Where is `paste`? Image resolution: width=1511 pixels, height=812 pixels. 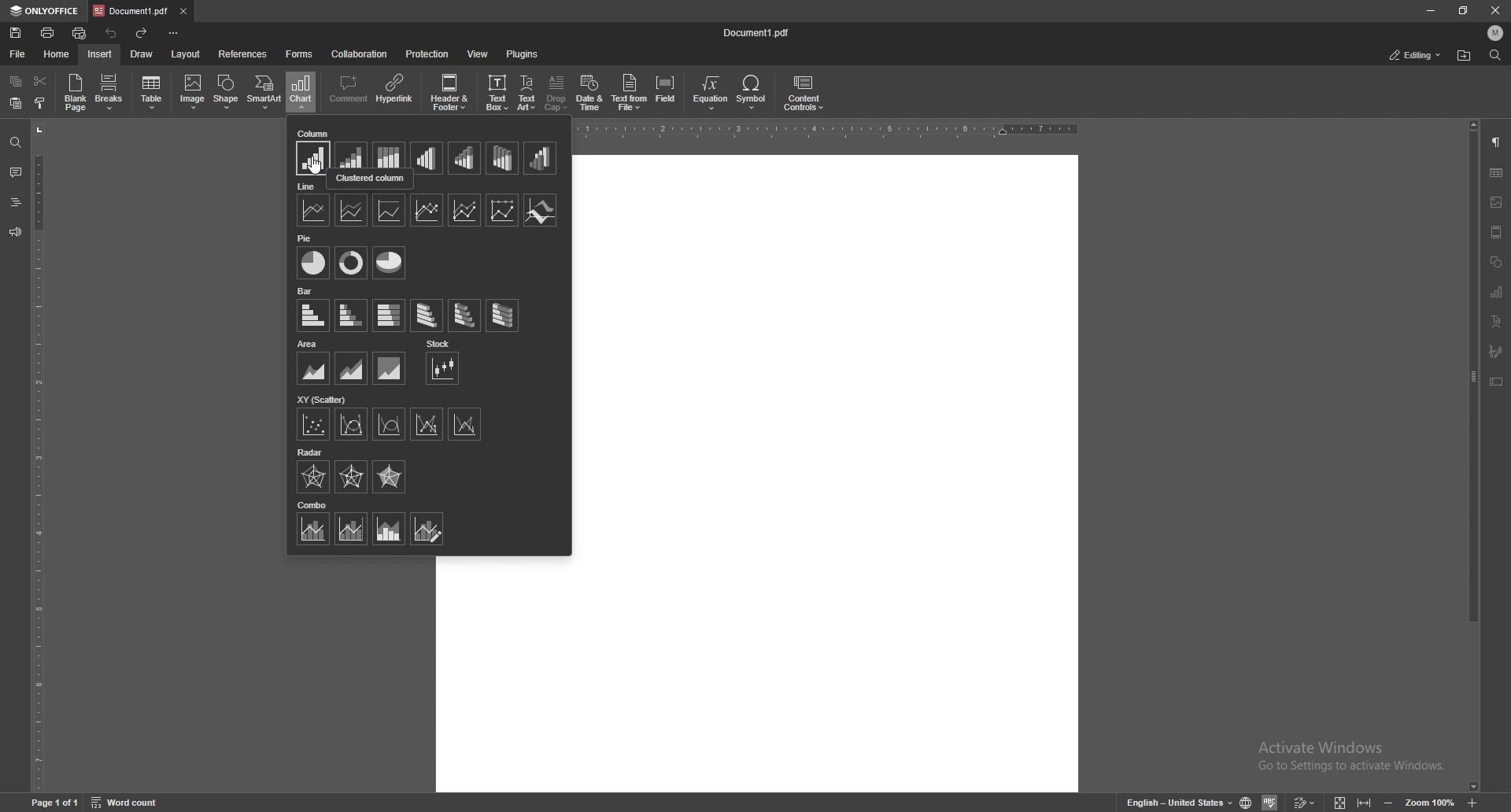 paste is located at coordinates (15, 103).